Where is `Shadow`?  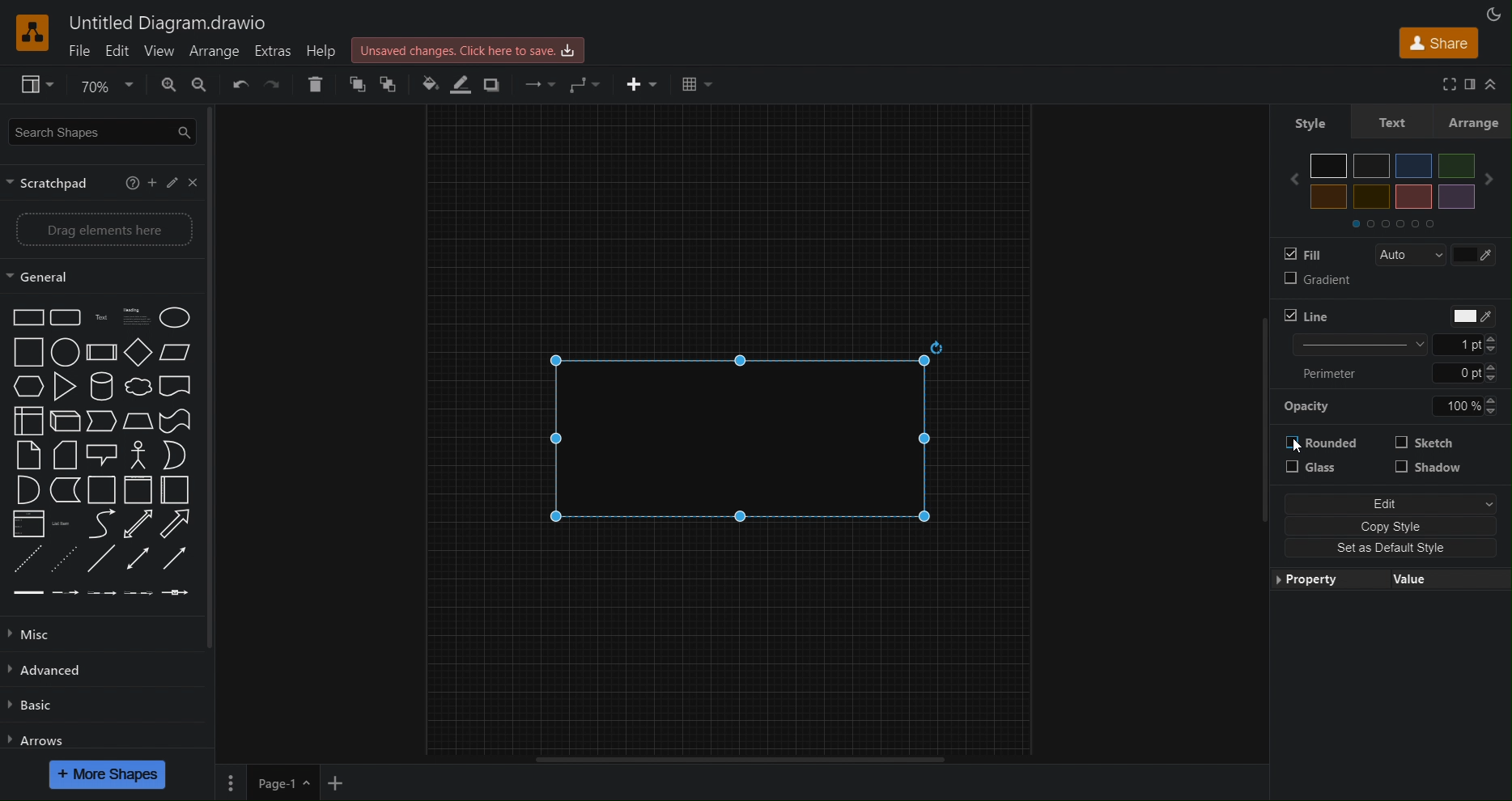 Shadow is located at coordinates (495, 84).